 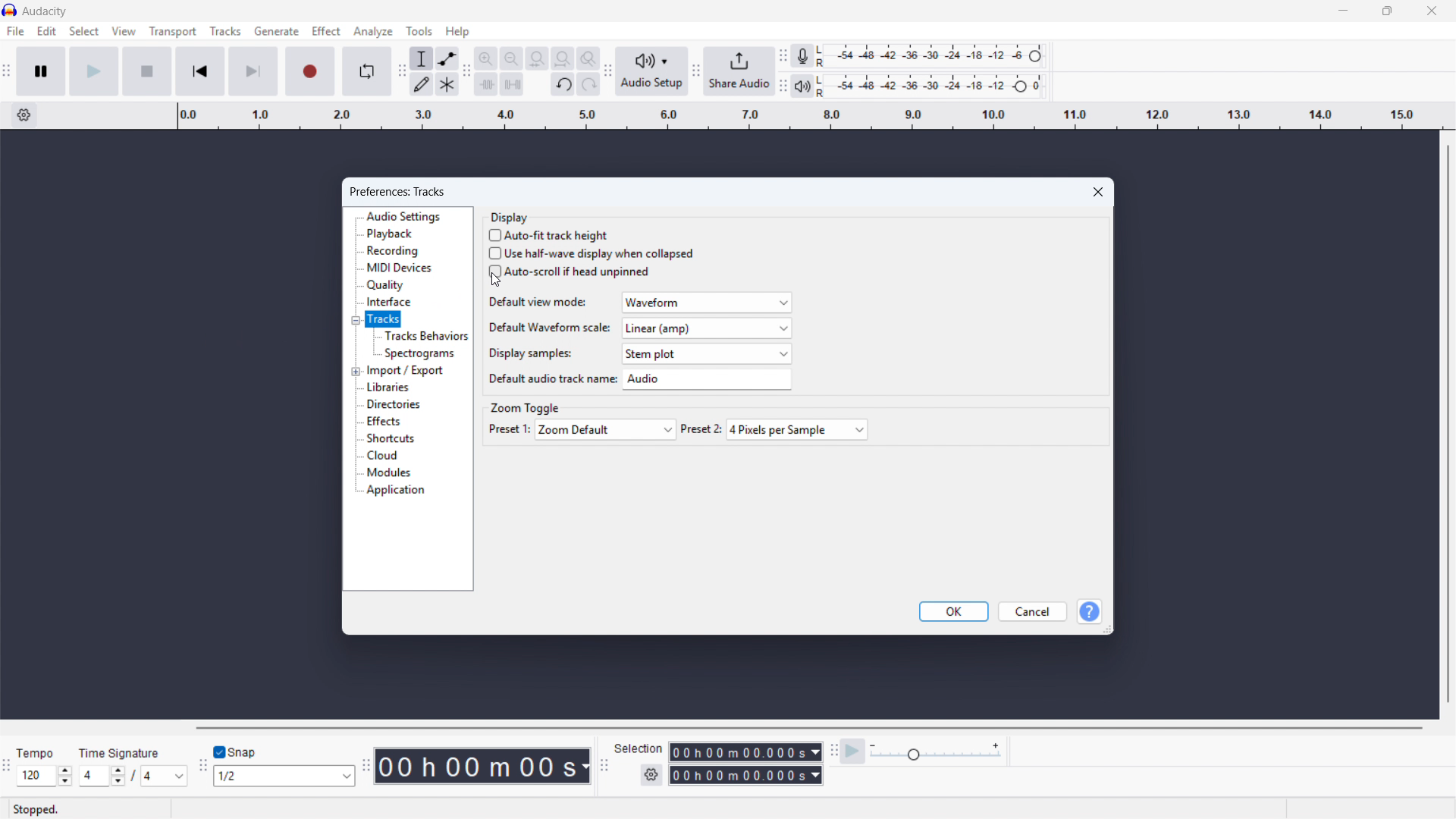 What do you see at coordinates (639, 353) in the screenshot?
I see `diplay samples` at bounding box center [639, 353].